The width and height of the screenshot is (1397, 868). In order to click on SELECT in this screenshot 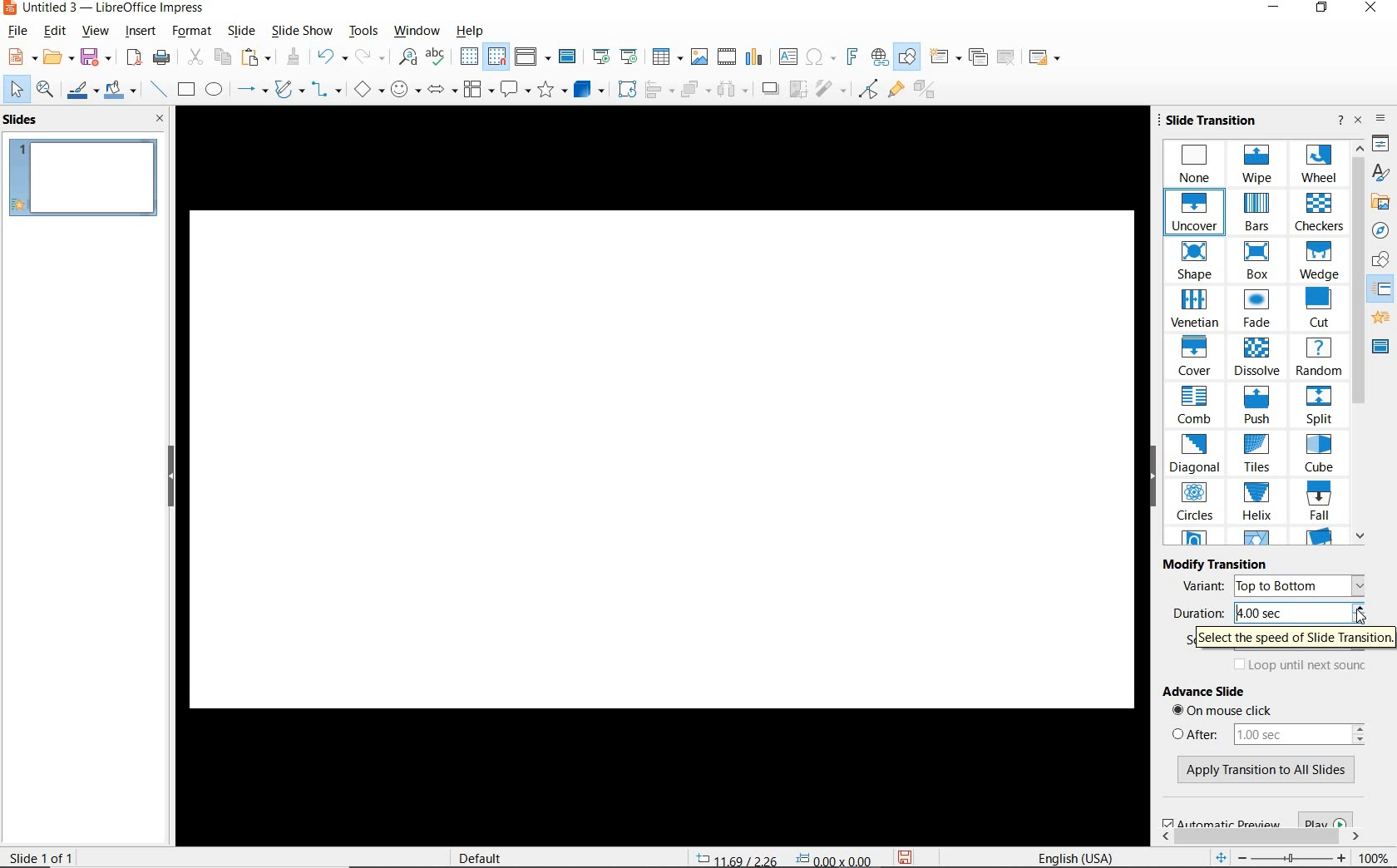, I will do `click(13, 89)`.